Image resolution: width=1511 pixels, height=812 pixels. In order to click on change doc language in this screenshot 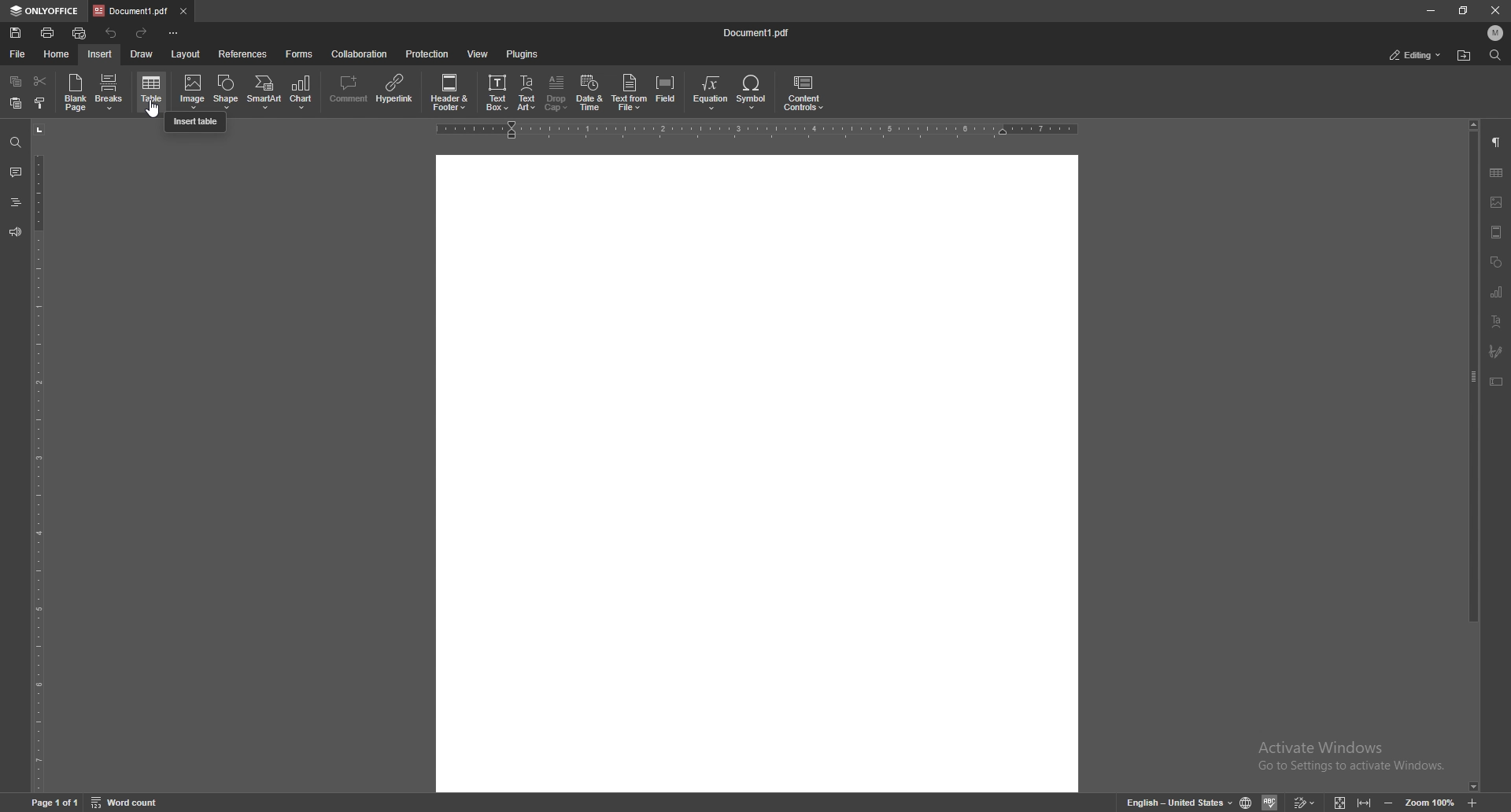, I will do `click(1247, 803)`.